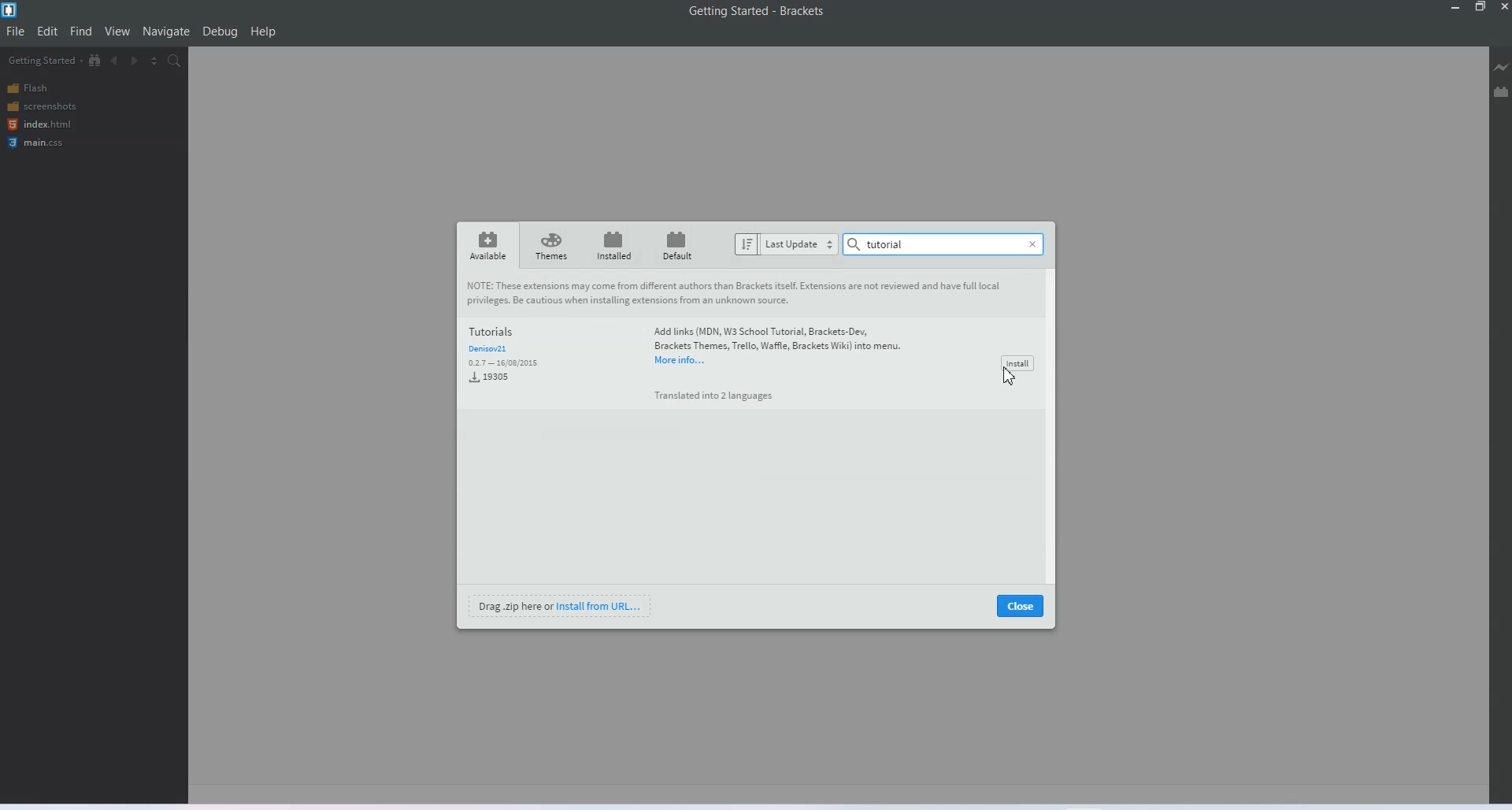 The width and height of the screenshot is (1512, 810). I want to click on a Translated into 2 languages, so click(721, 396).